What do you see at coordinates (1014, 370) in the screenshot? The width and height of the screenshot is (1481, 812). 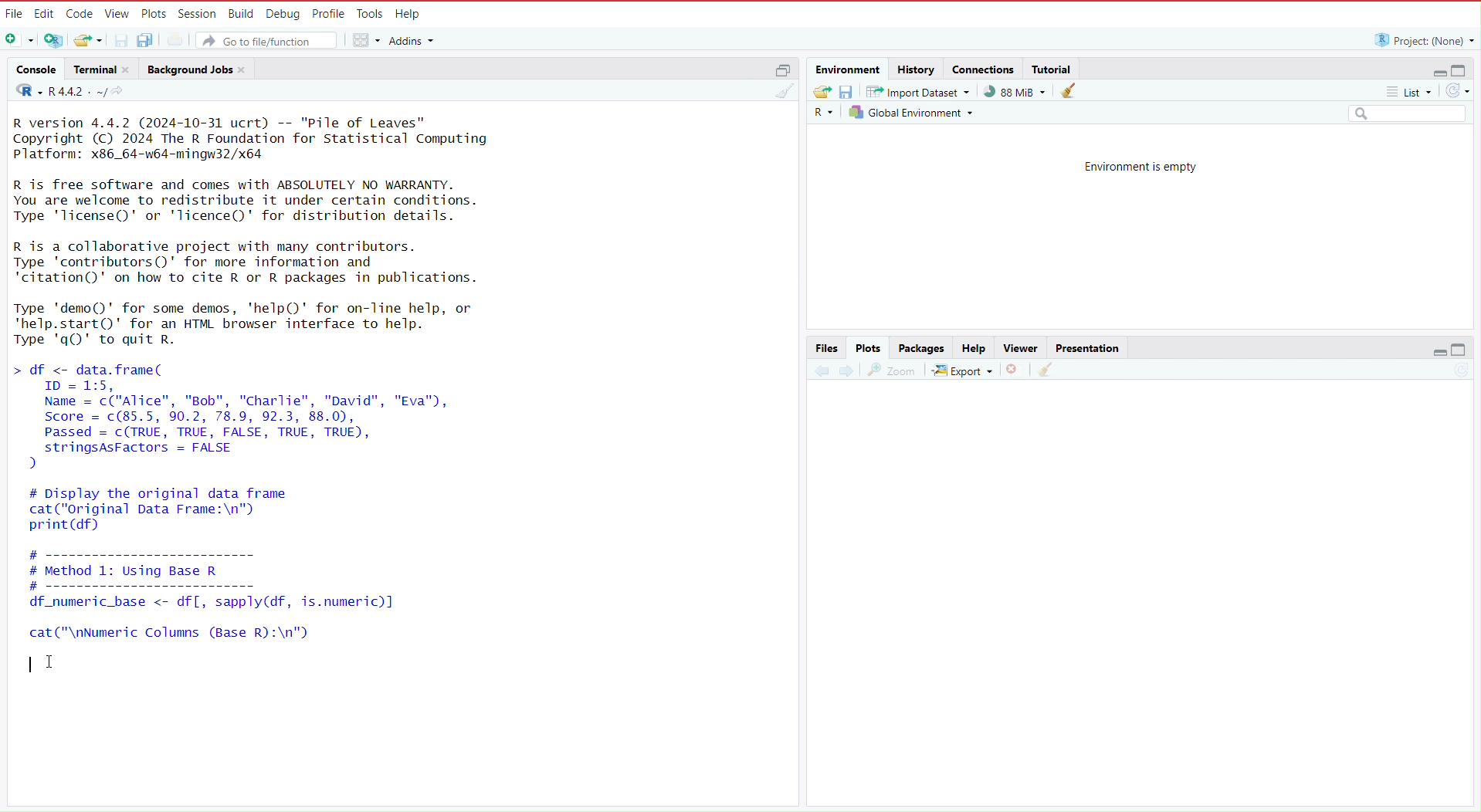 I see `remove the current plot` at bounding box center [1014, 370].